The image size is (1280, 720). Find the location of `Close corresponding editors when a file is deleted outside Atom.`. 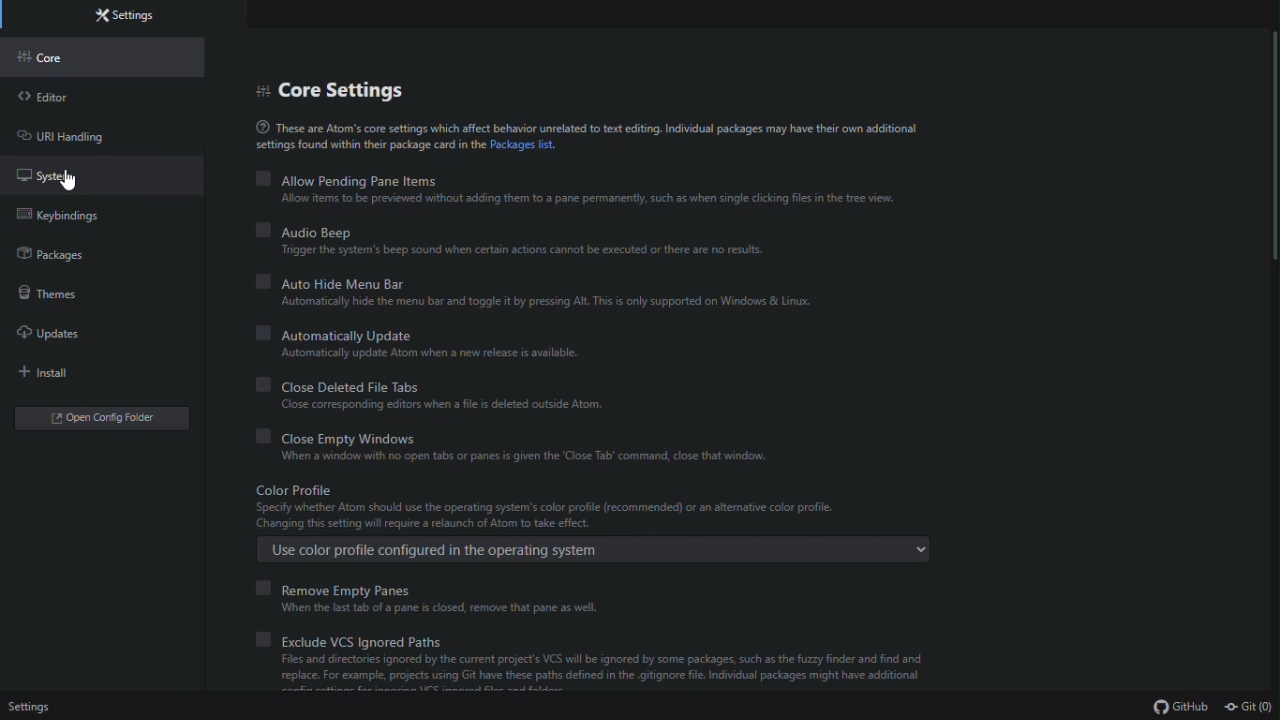

Close corresponding editors when a file is deleted outside Atom. is located at coordinates (425, 405).